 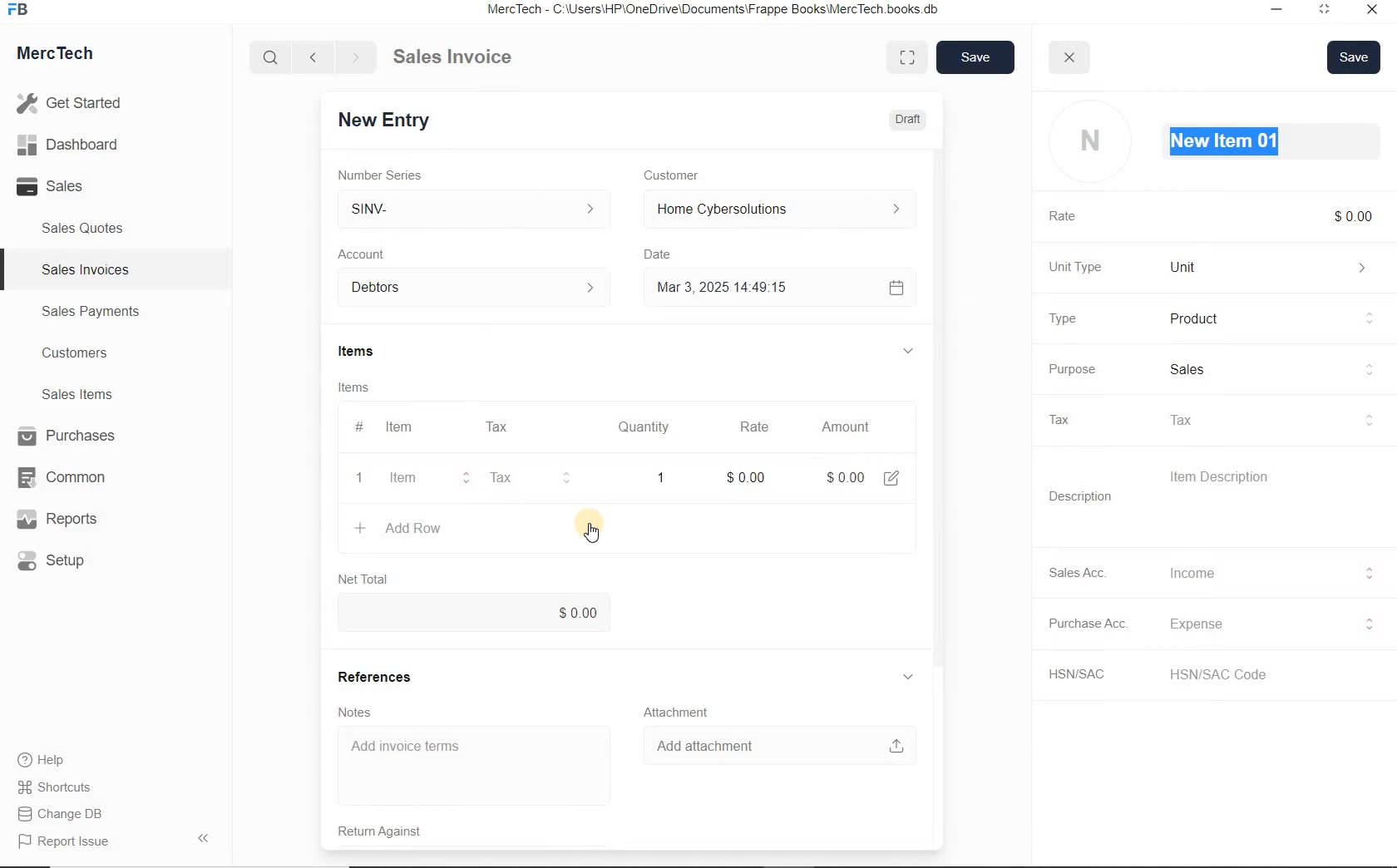 I want to click on Toggle between form and full width, so click(x=909, y=57).